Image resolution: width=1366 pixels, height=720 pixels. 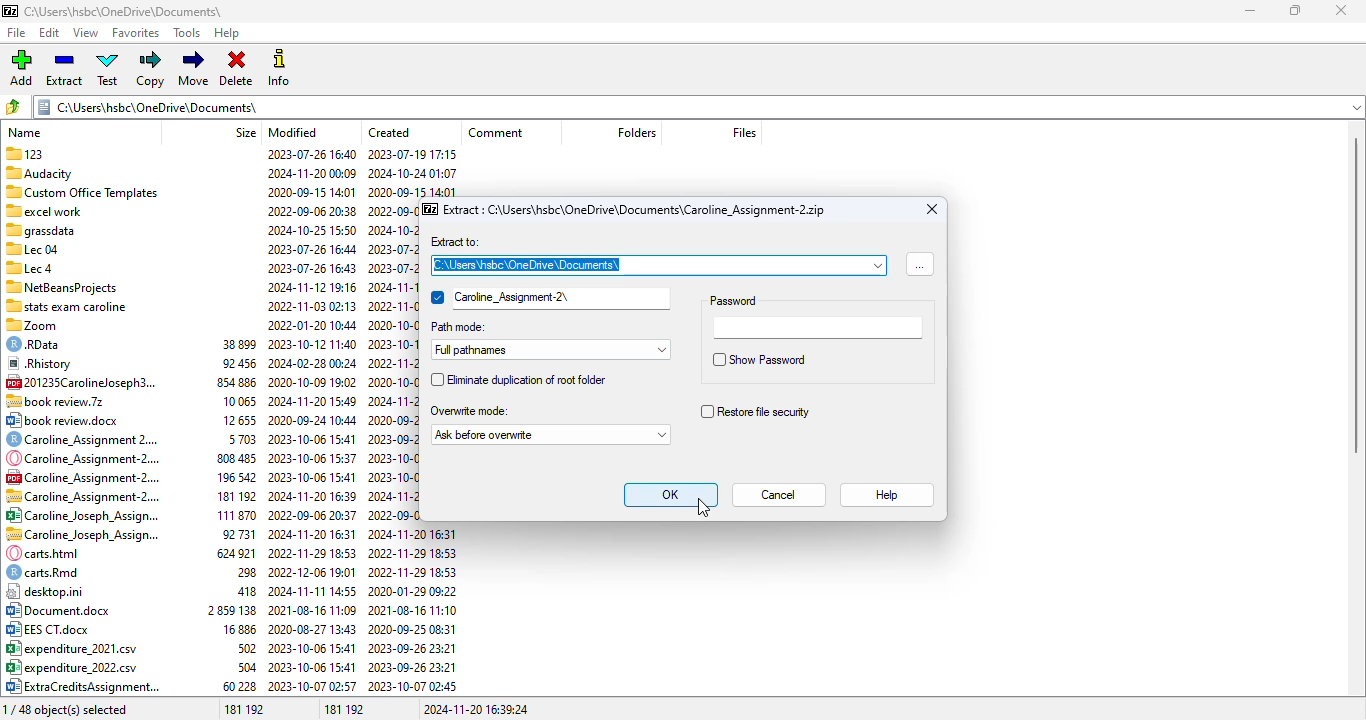 What do you see at coordinates (780, 495) in the screenshot?
I see `cancel` at bounding box center [780, 495].